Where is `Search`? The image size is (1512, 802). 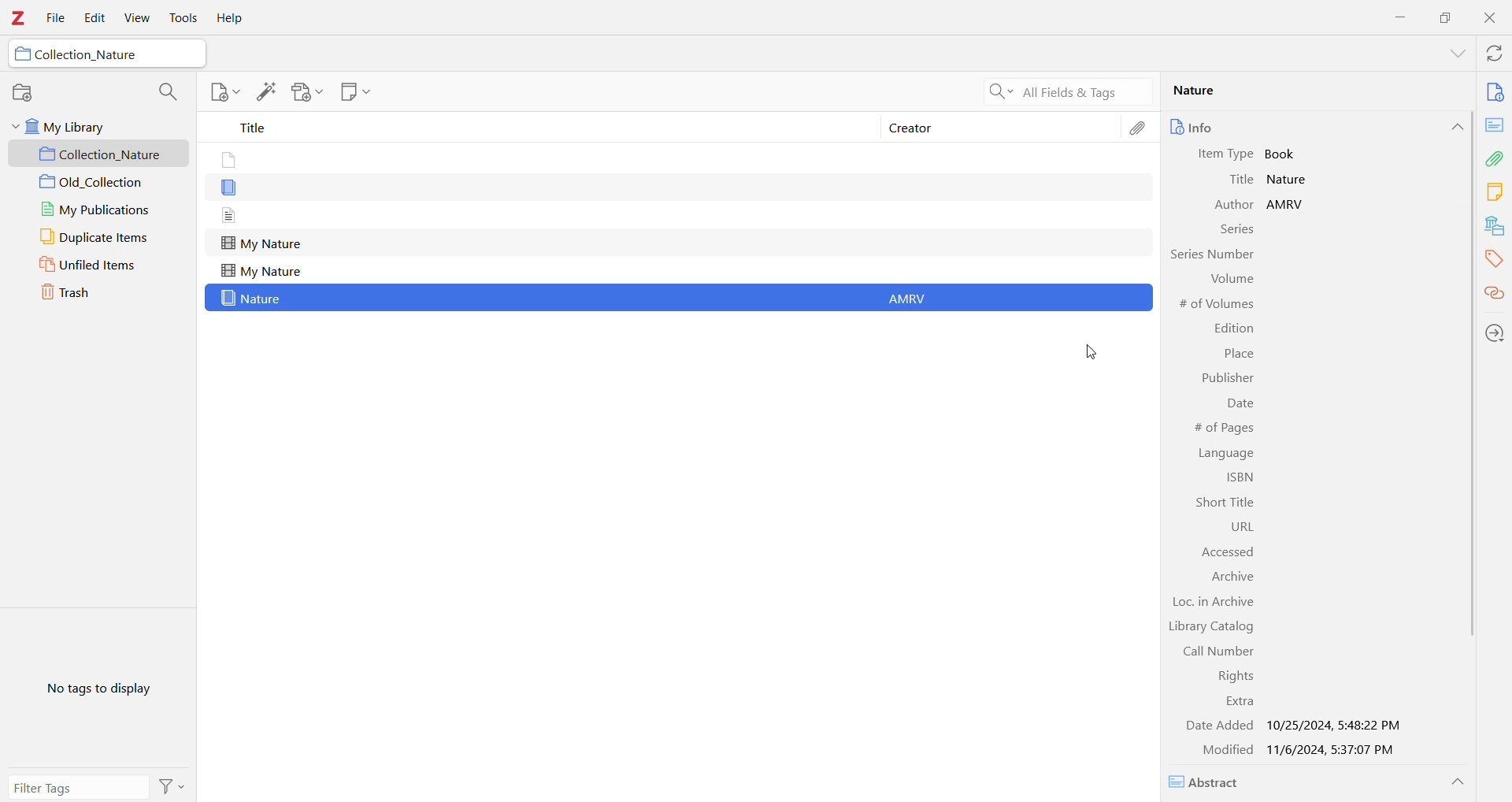 Search is located at coordinates (165, 92).